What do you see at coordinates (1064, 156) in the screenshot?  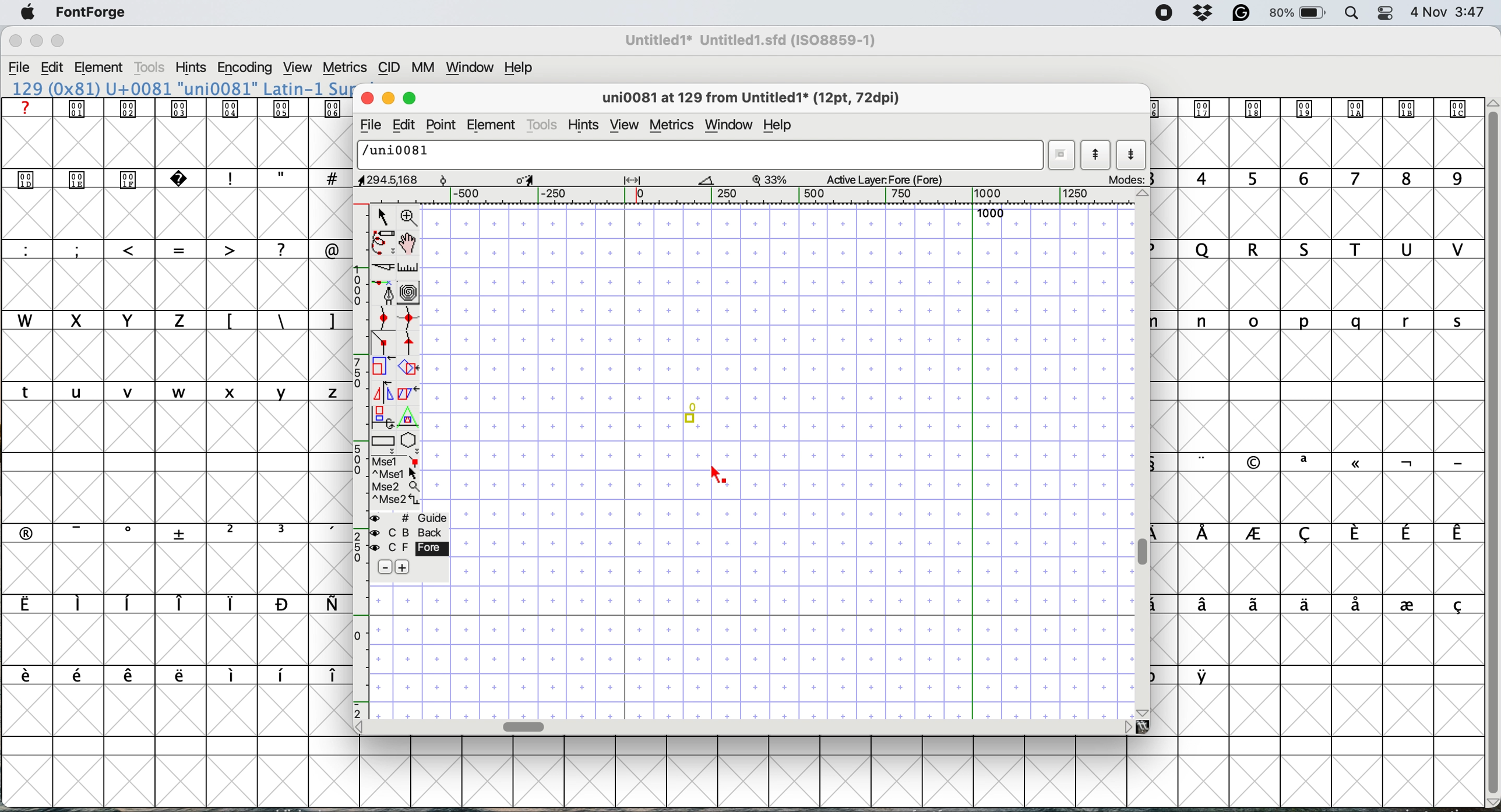 I see `word list` at bounding box center [1064, 156].